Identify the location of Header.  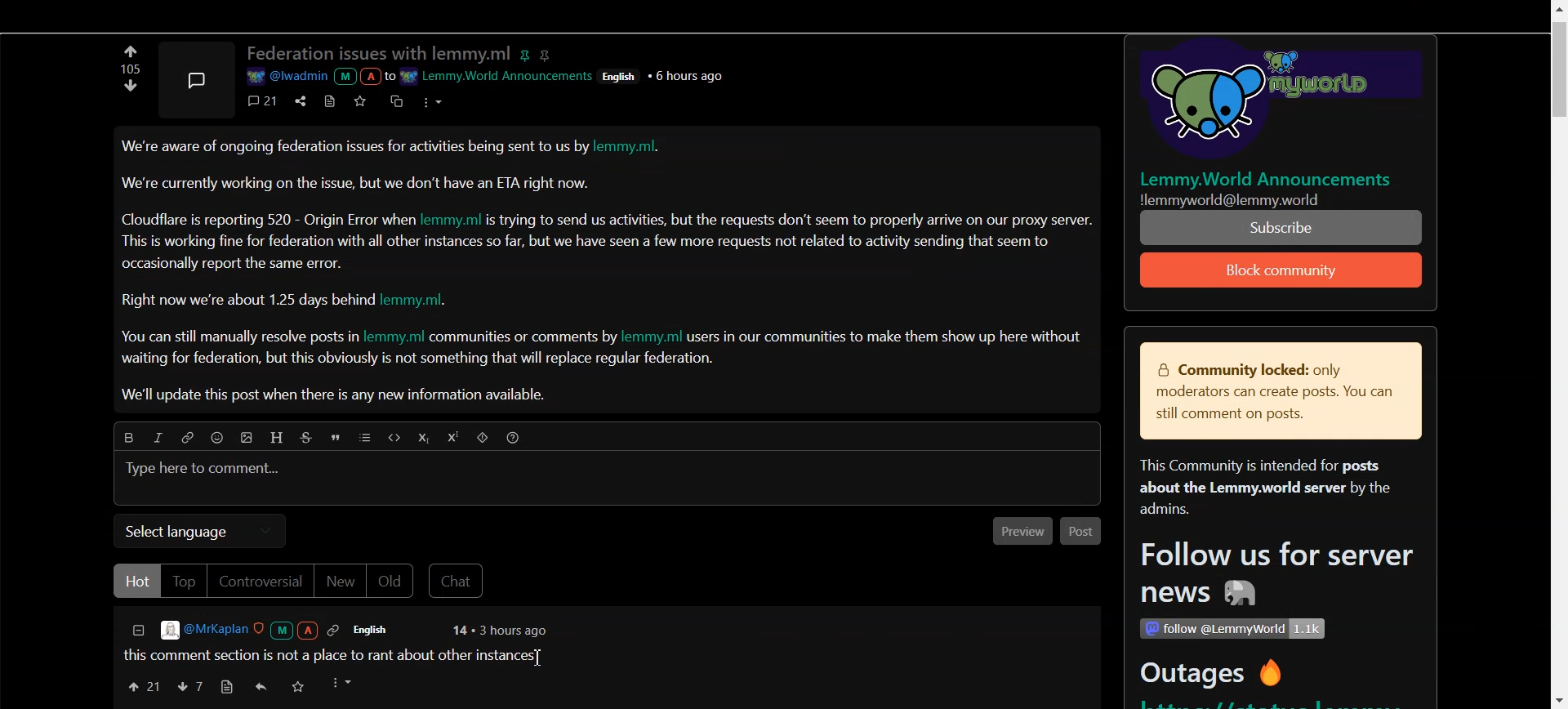
(278, 437).